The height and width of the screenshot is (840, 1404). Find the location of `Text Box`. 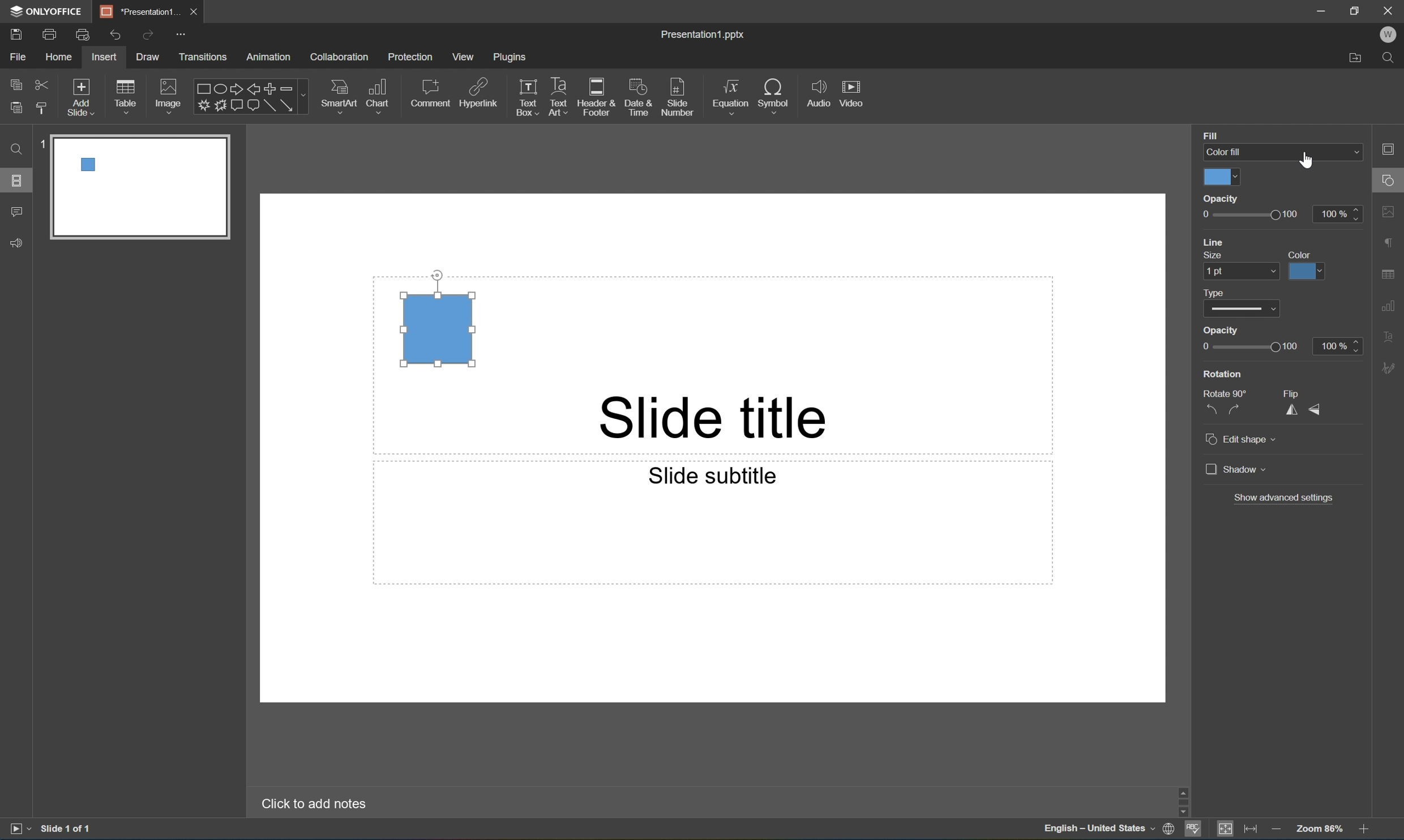

Text Box is located at coordinates (528, 98).